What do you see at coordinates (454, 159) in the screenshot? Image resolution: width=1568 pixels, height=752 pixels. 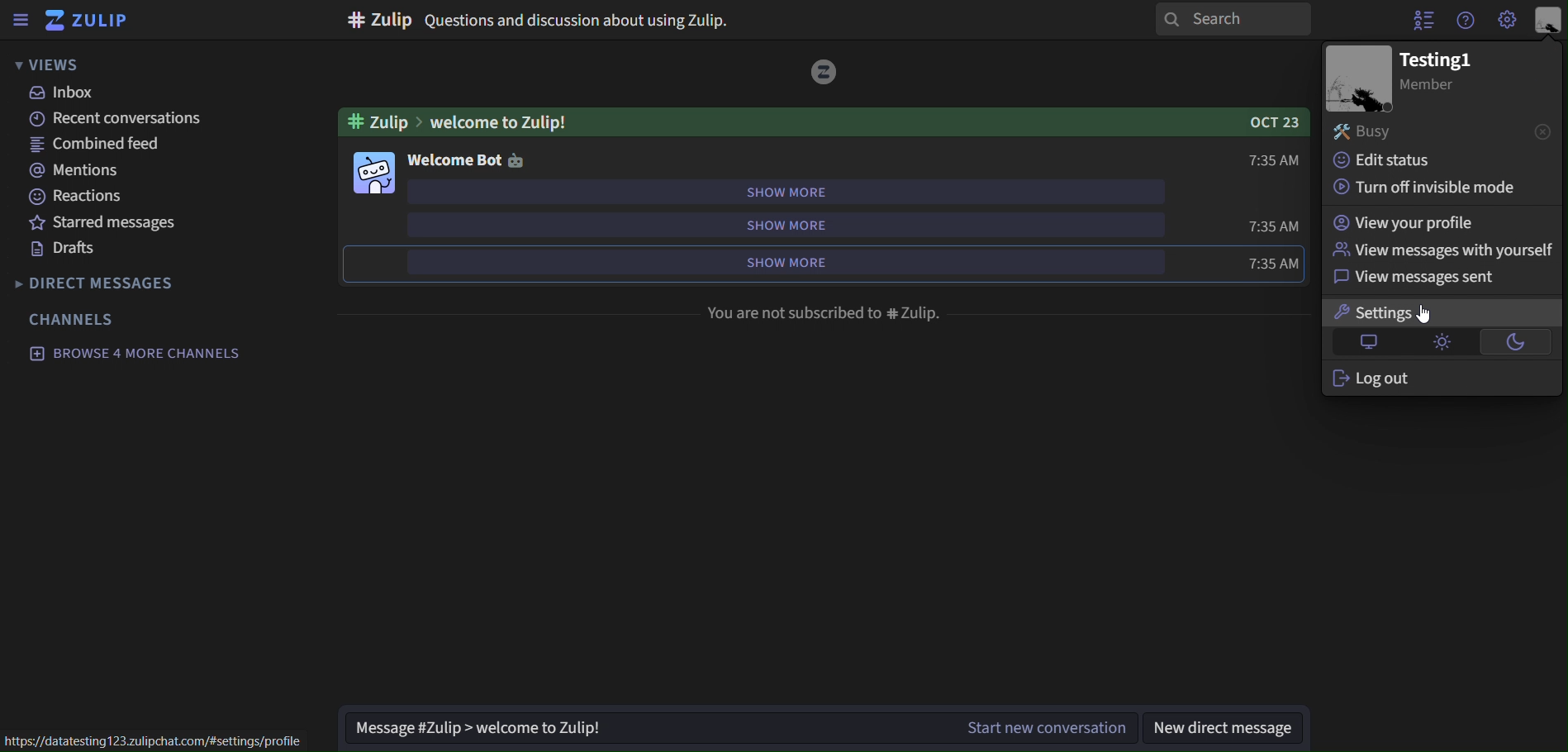 I see `welcome bot` at bounding box center [454, 159].